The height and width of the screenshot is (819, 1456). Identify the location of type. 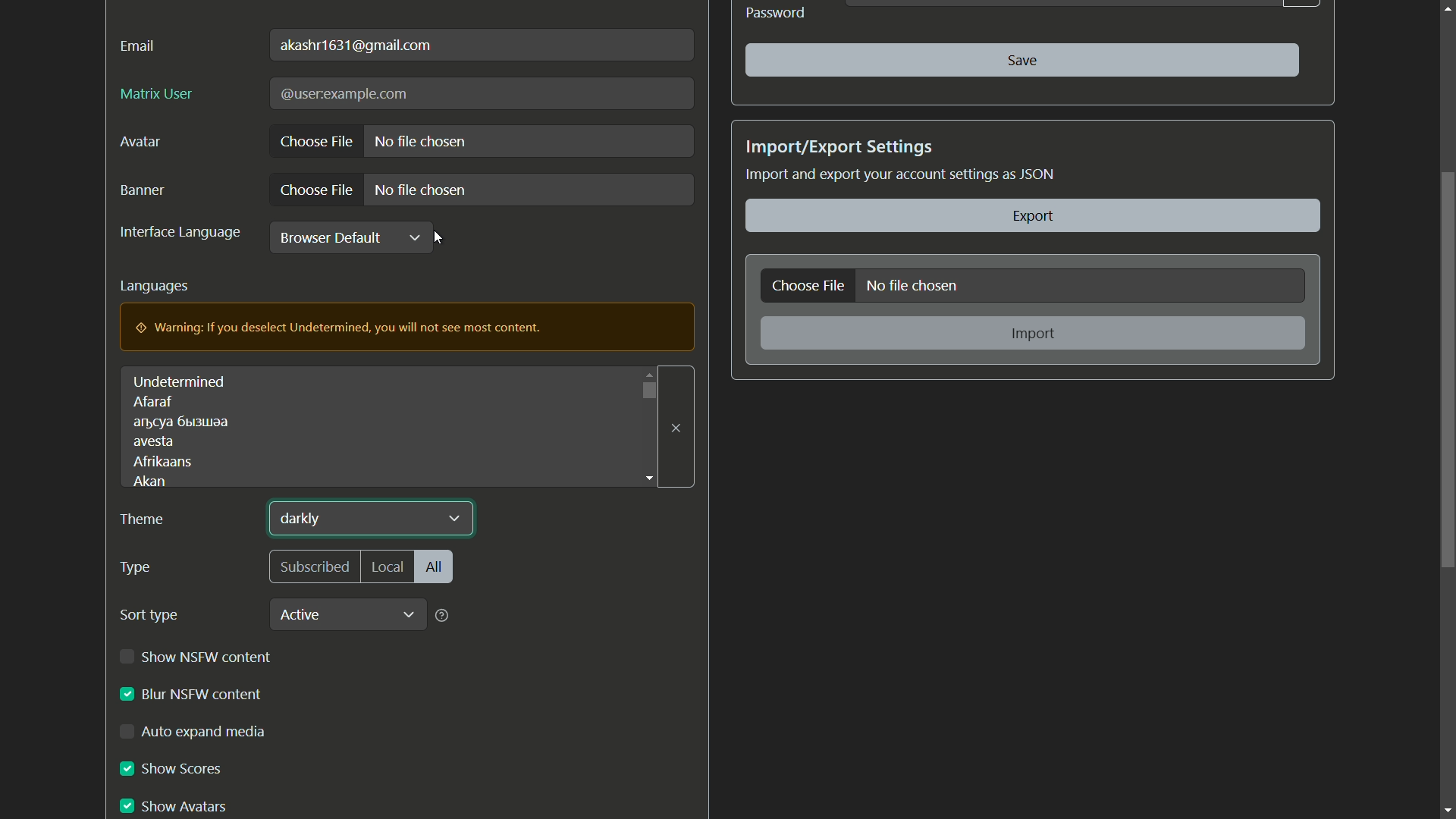
(136, 569).